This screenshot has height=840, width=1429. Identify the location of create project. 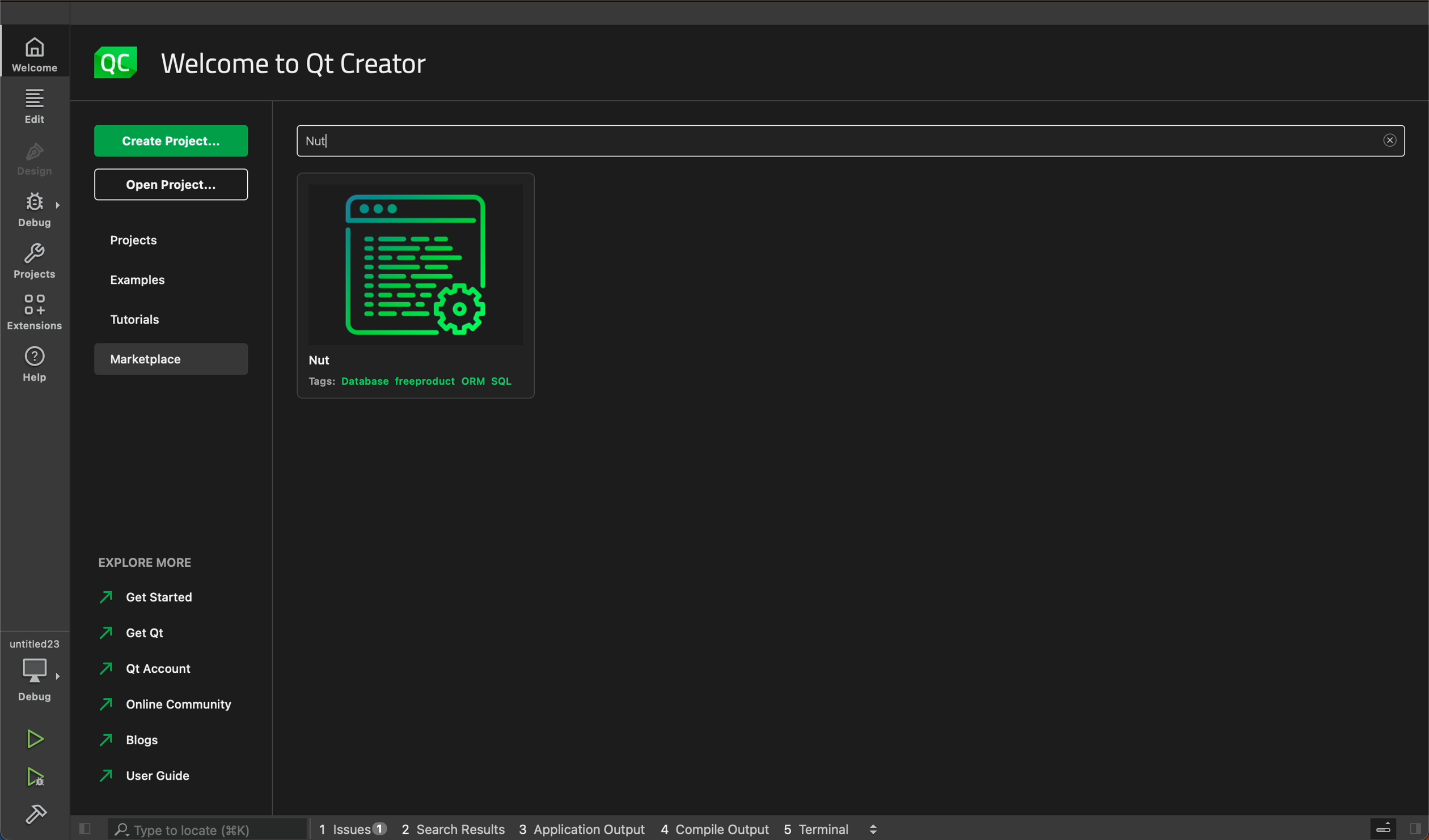
(169, 140).